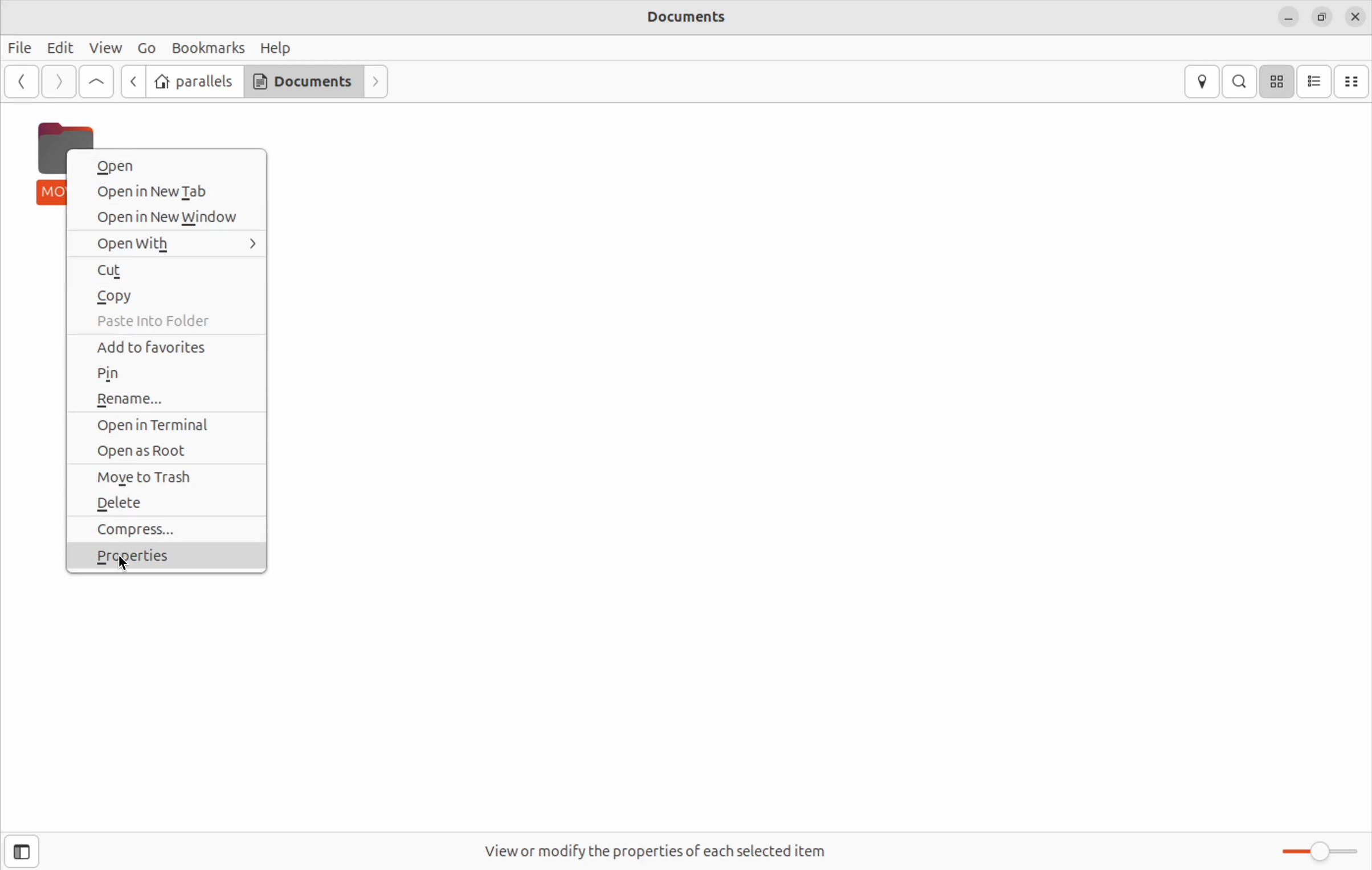 Image resolution: width=1372 pixels, height=870 pixels. What do you see at coordinates (166, 533) in the screenshot?
I see `Compress` at bounding box center [166, 533].